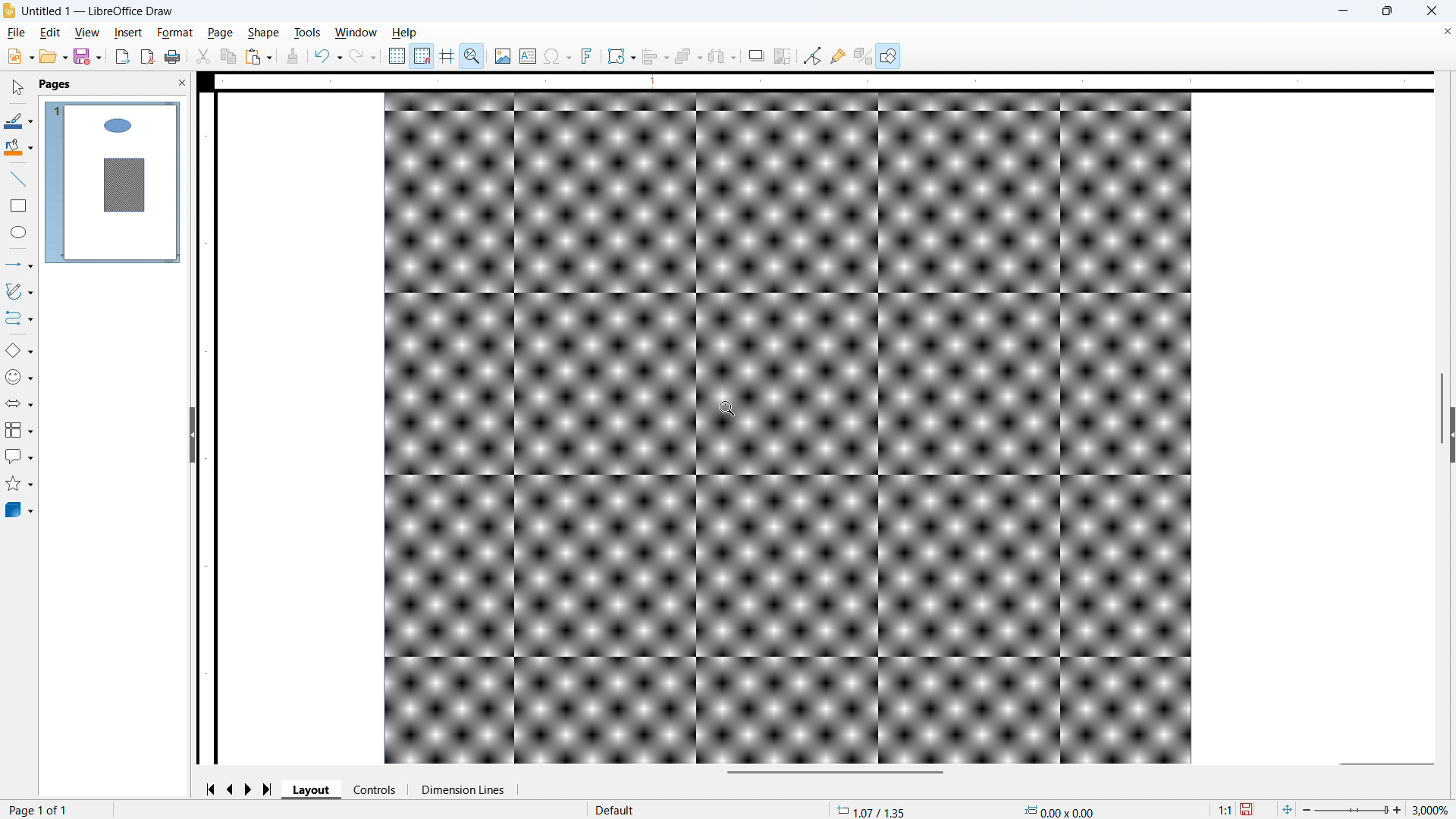 This screenshot has width=1456, height=819. Describe the element at coordinates (655, 56) in the screenshot. I see `Align ` at that location.